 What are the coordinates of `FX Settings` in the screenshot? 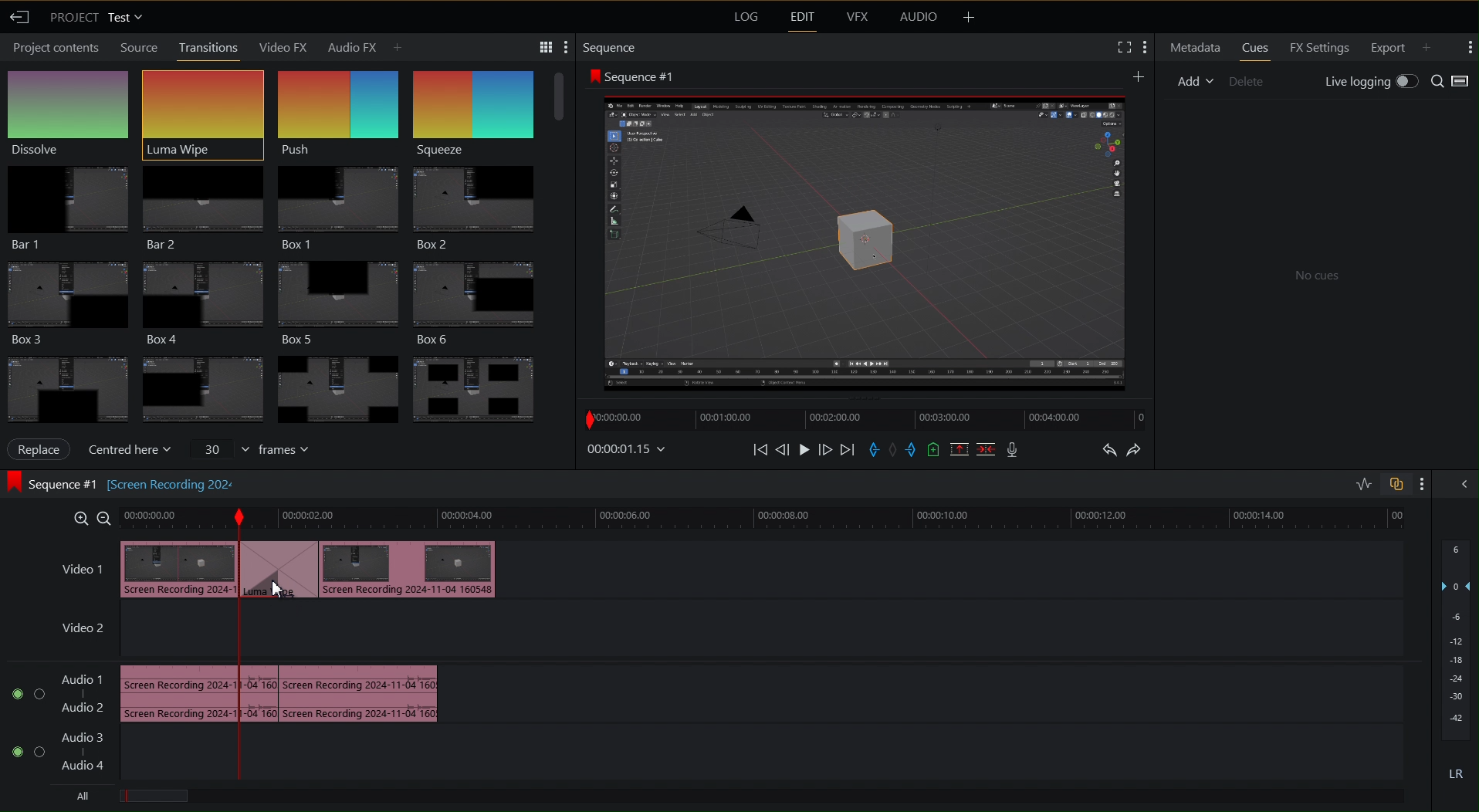 It's located at (1320, 48).